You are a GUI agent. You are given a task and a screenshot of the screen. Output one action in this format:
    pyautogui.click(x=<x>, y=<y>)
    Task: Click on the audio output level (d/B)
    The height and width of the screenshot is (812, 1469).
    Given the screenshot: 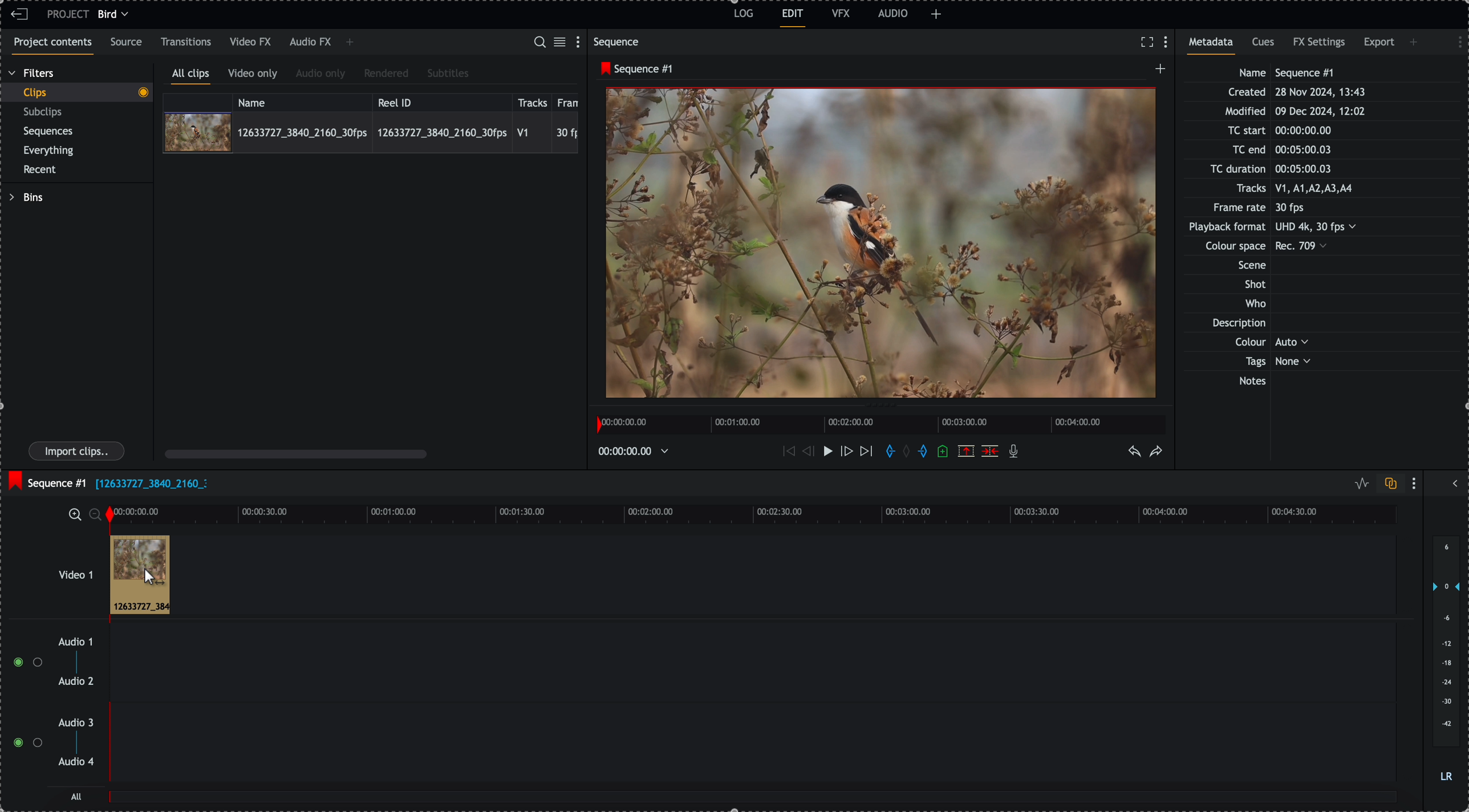 What is the action you would take?
    pyautogui.click(x=1445, y=660)
    